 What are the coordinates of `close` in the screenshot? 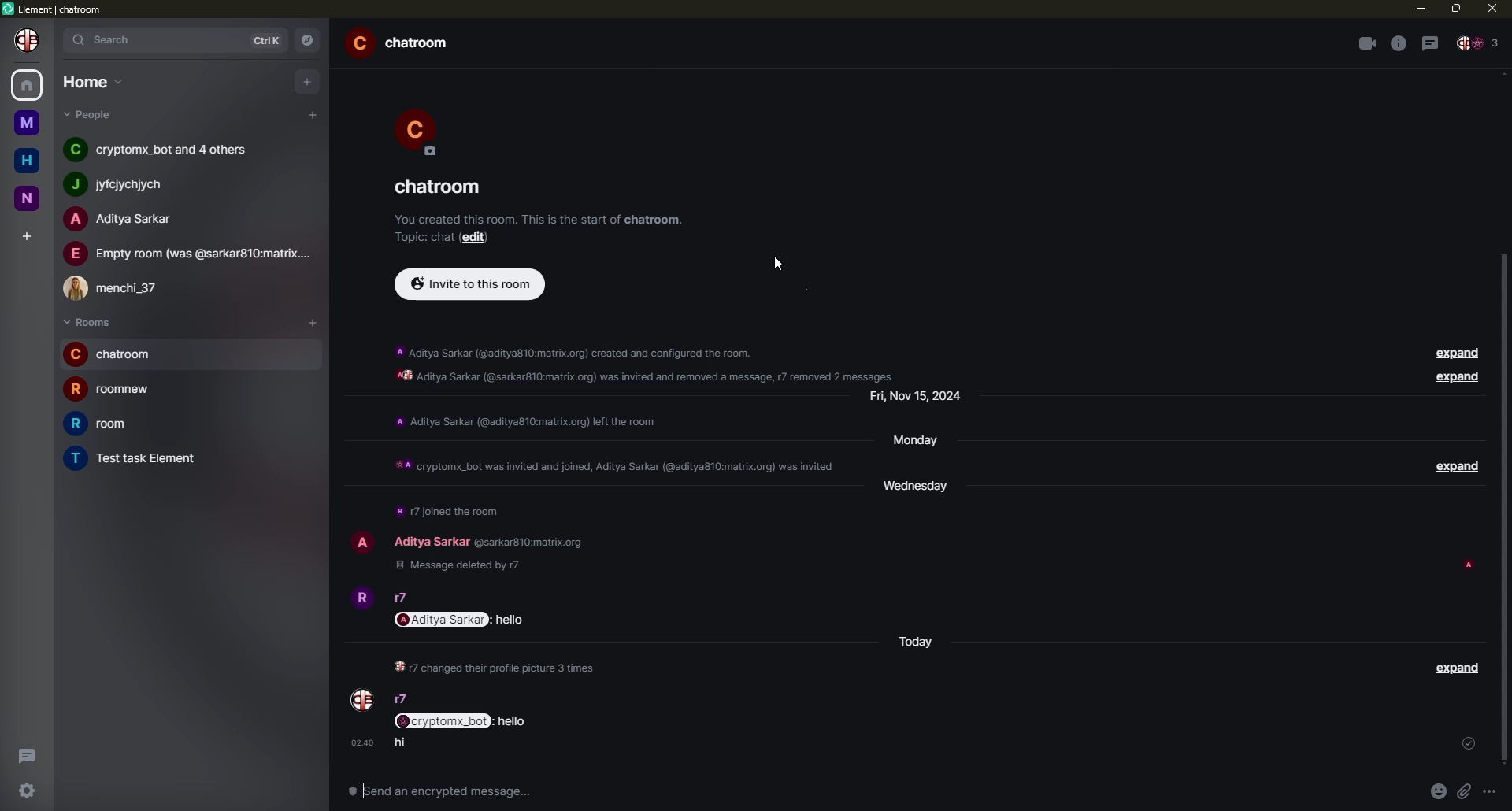 It's located at (1491, 9).